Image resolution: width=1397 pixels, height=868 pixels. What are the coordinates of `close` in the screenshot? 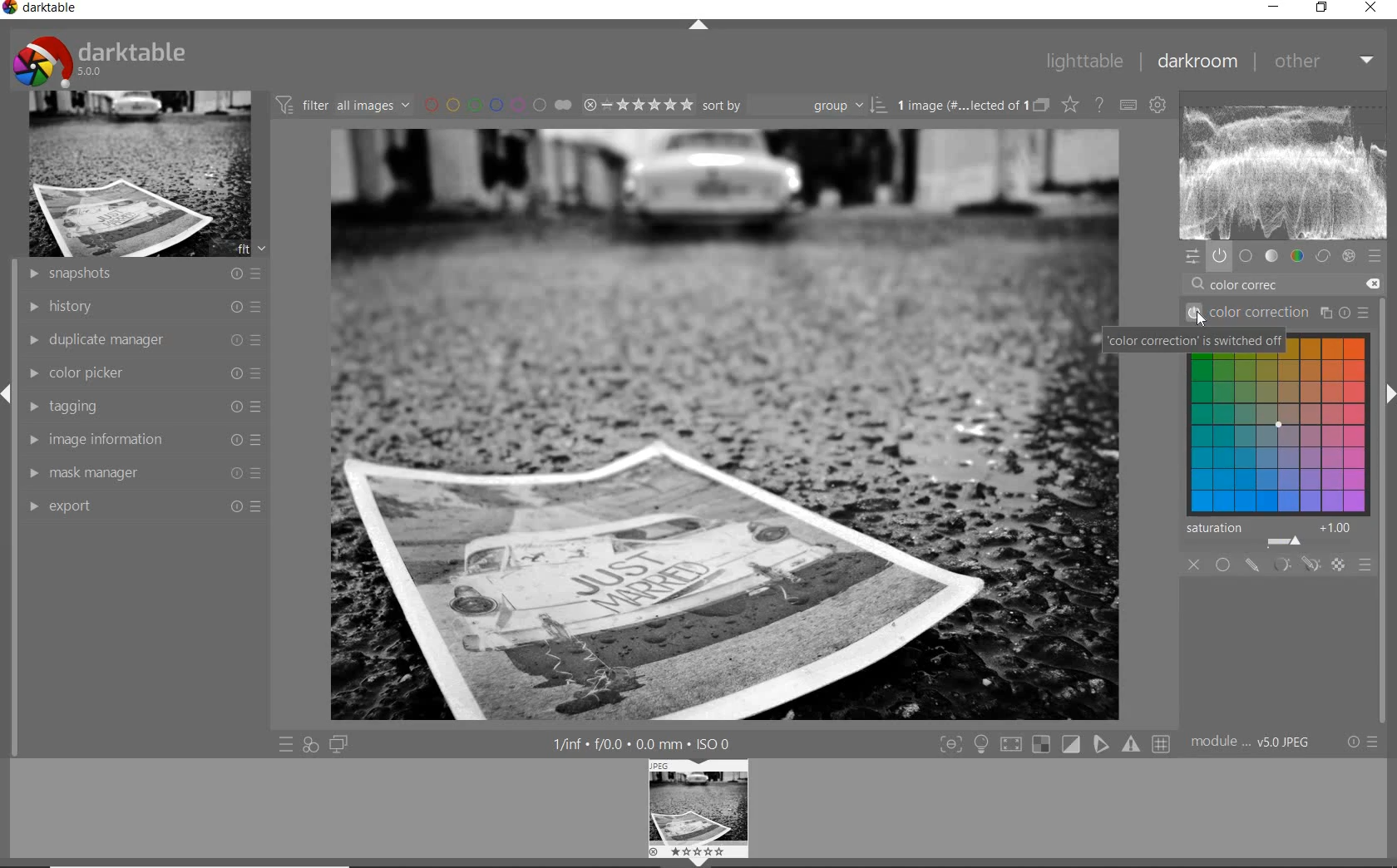 It's located at (1194, 565).